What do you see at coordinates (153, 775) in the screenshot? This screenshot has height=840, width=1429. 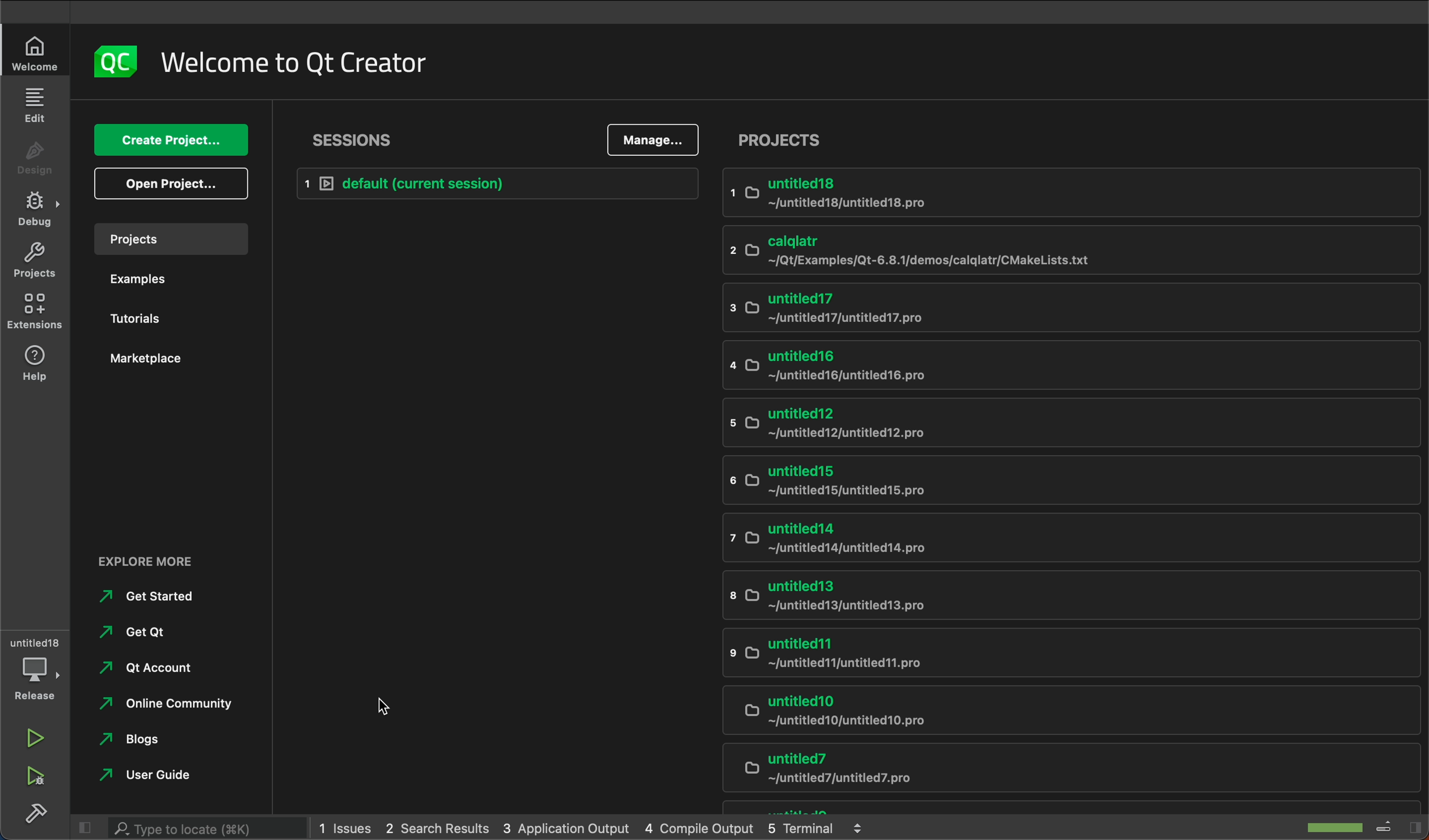 I see `user guide` at bounding box center [153, 775].